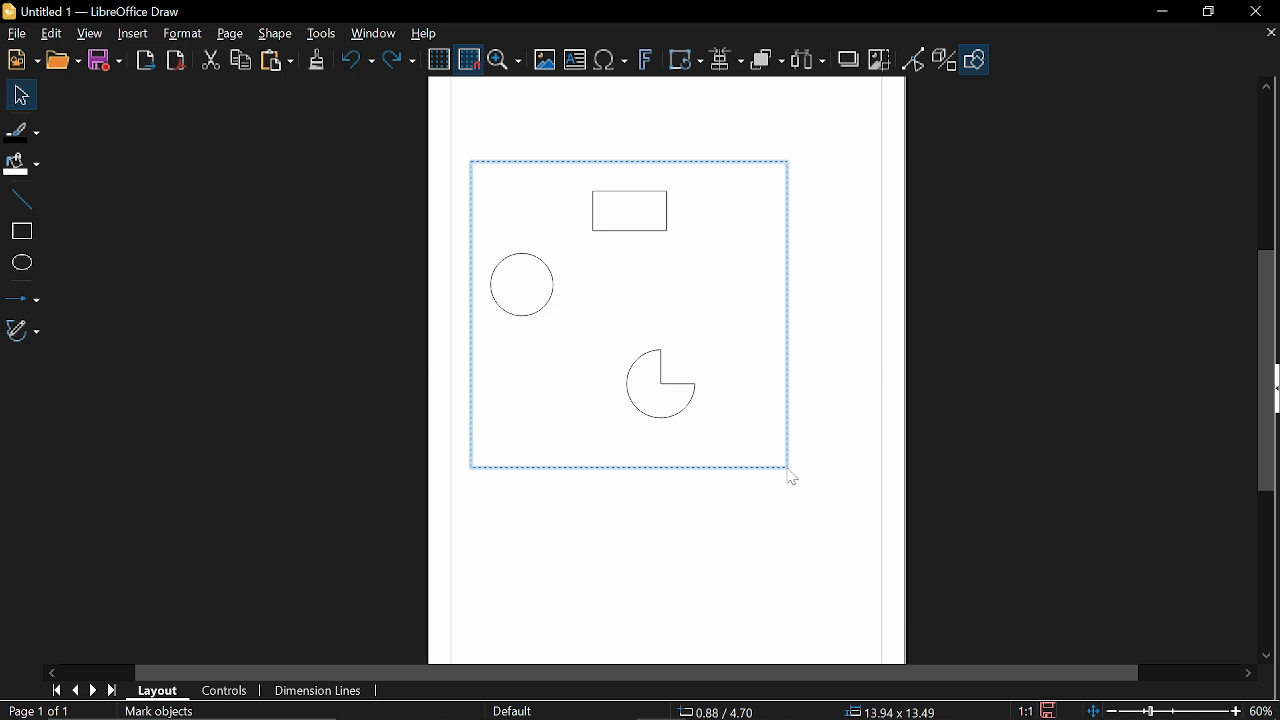 The height and width of the screenshot is (720, 1280). I want to click on Help, so click(421, 34).